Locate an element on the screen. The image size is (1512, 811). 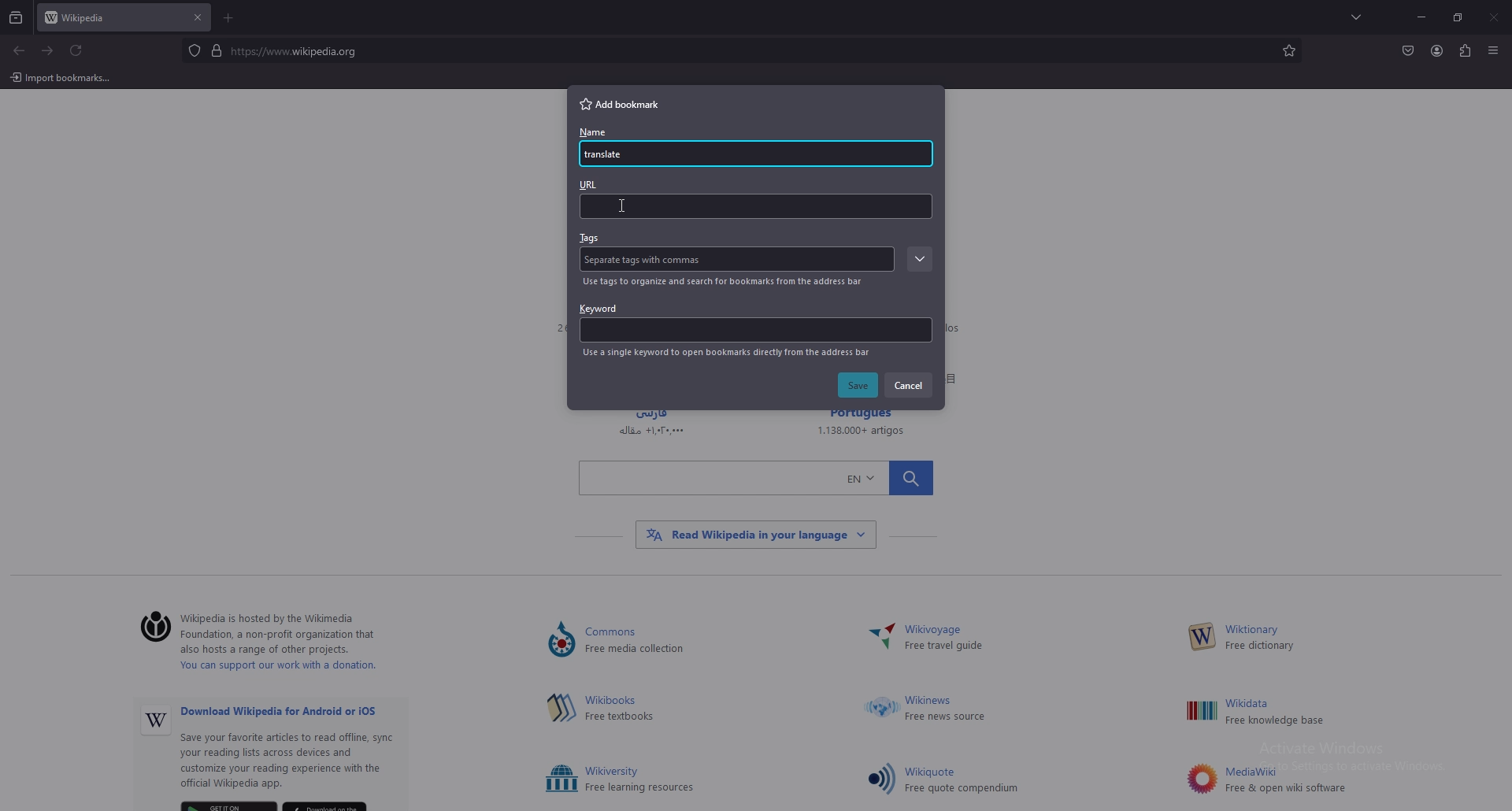
 is located at coordinates (642, 780).